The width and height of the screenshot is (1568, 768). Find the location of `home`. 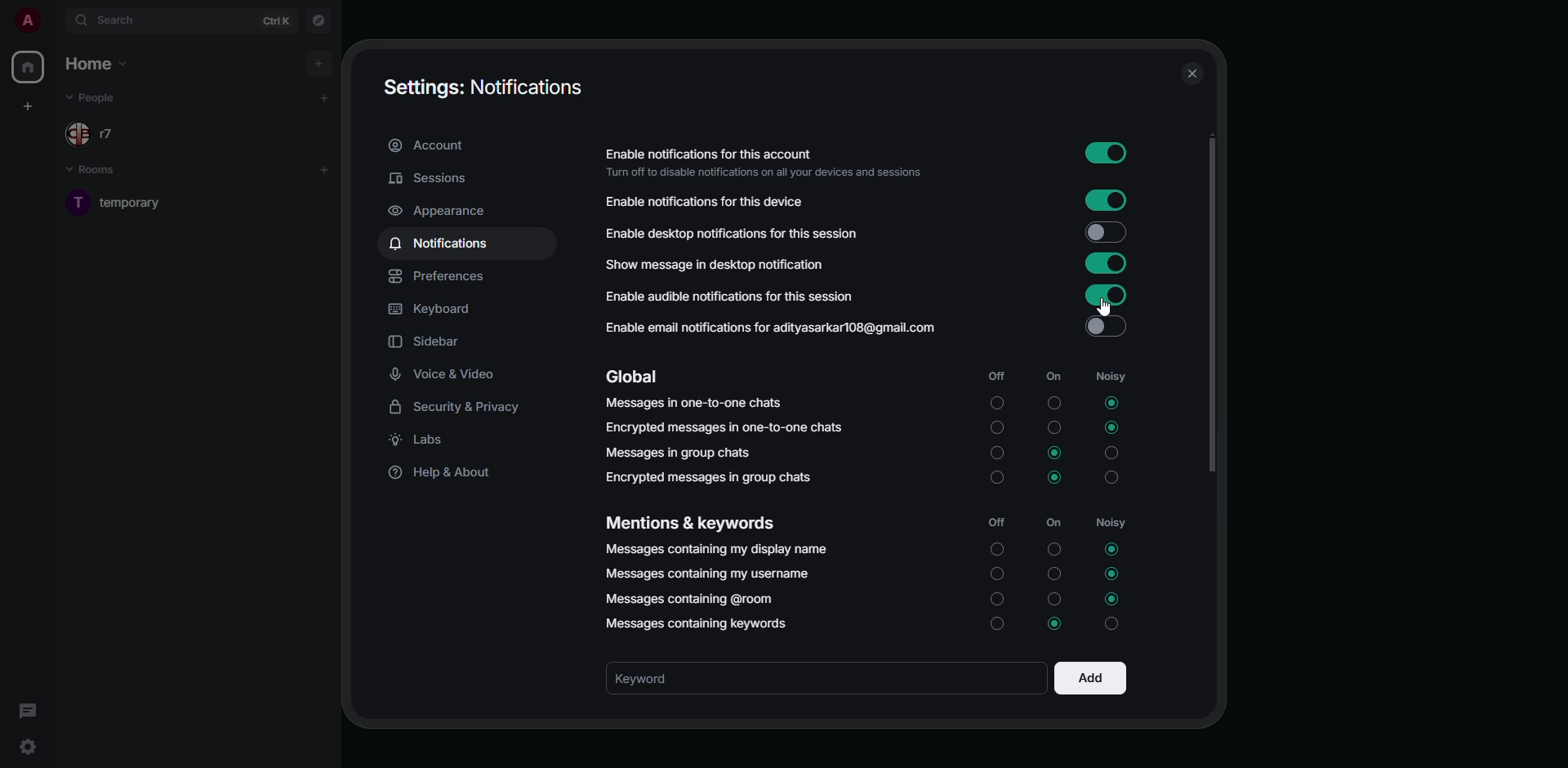

home is located at coordinates (27, 67).